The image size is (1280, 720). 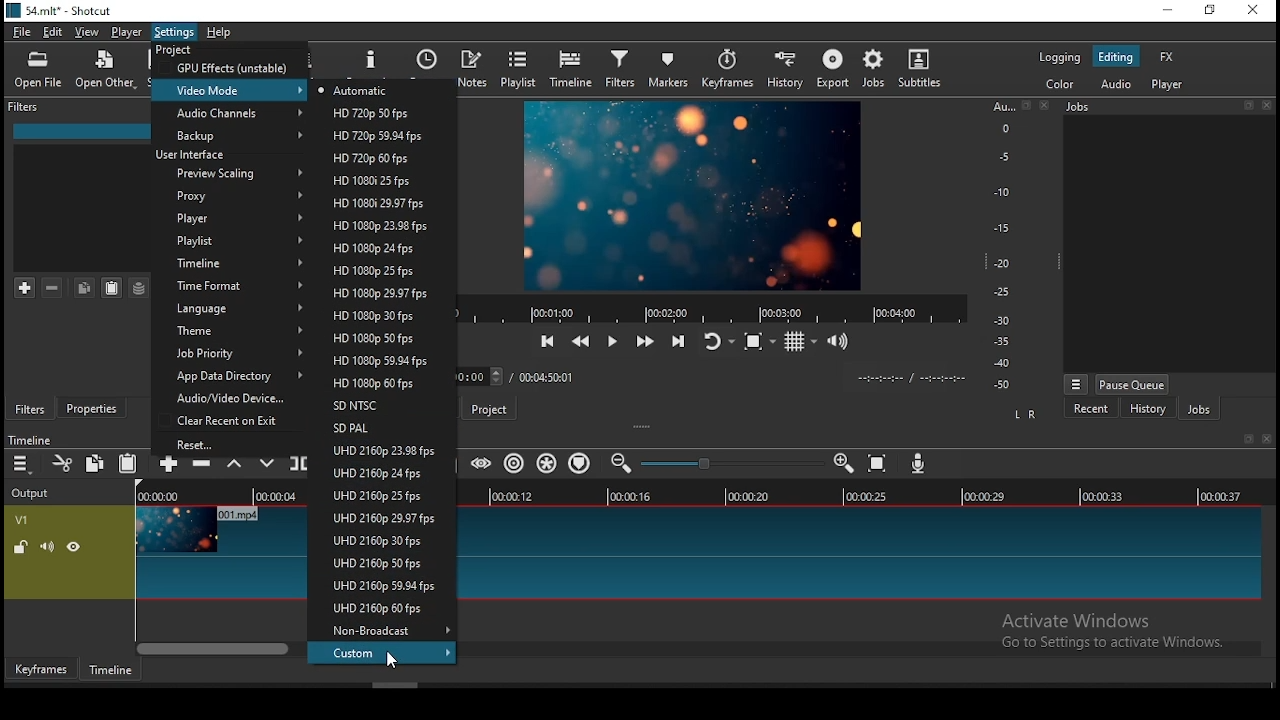 What do you see at coordinates (375, 202) in the screenshot?
I see `resolution option` at bounding box center [375, 202].